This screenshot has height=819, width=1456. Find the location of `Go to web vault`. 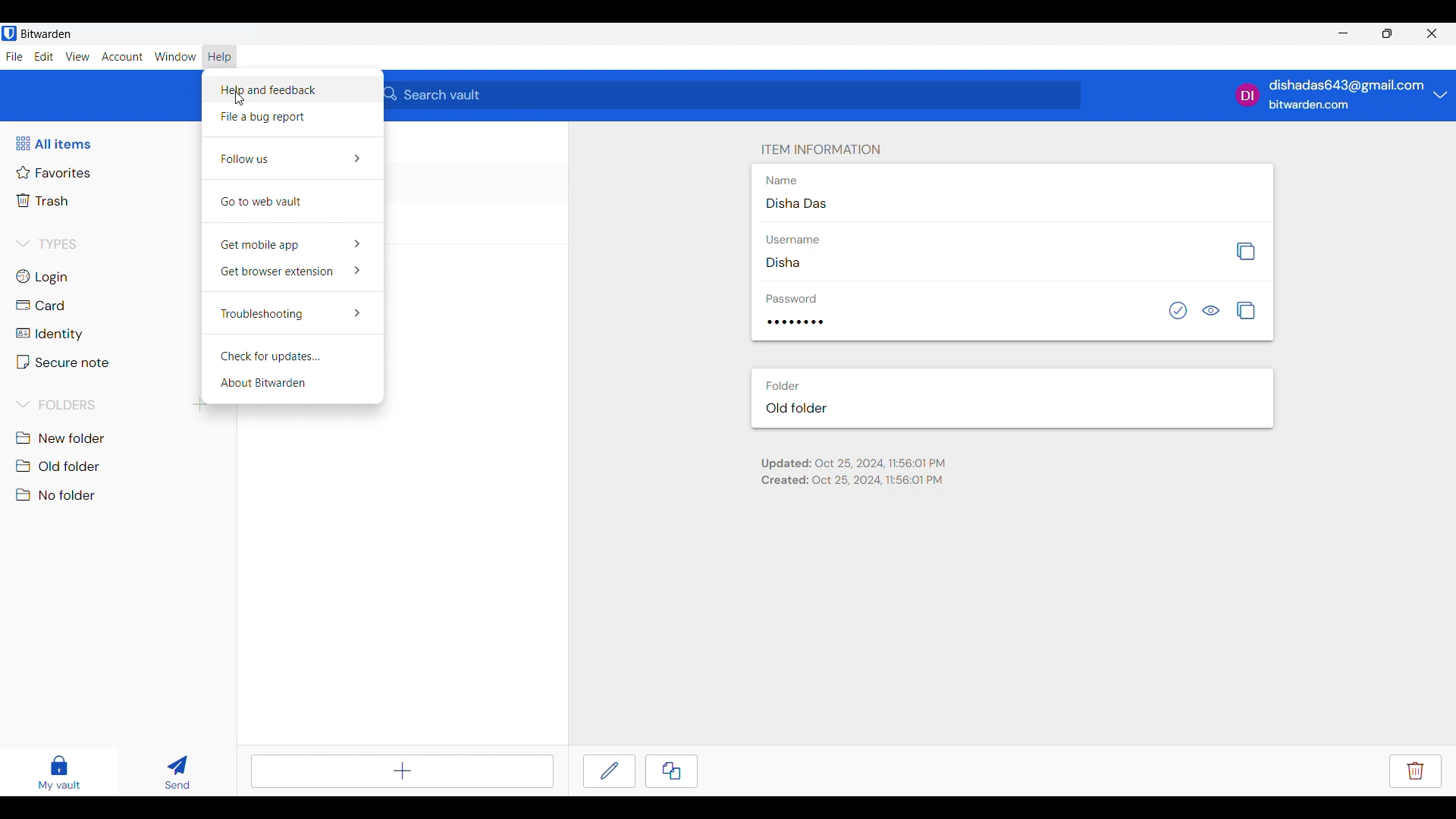

Go to web vault is located at coordinates (292, 202).